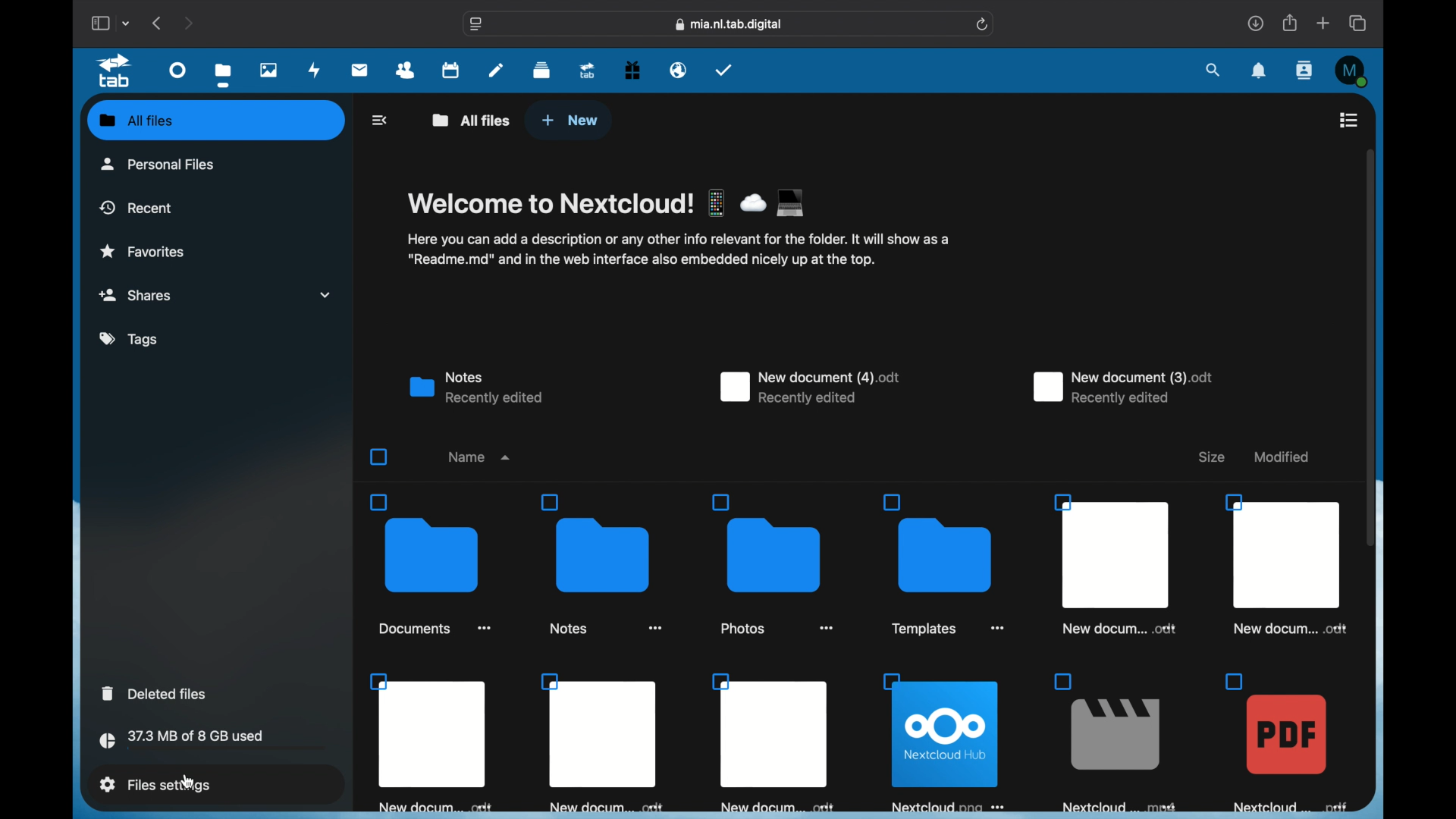 This screenshot has height=819, width=1456. What do you see at coordinates (406, 71) in the screenshot?
I see `contacts` at bounding box center [406, 71].